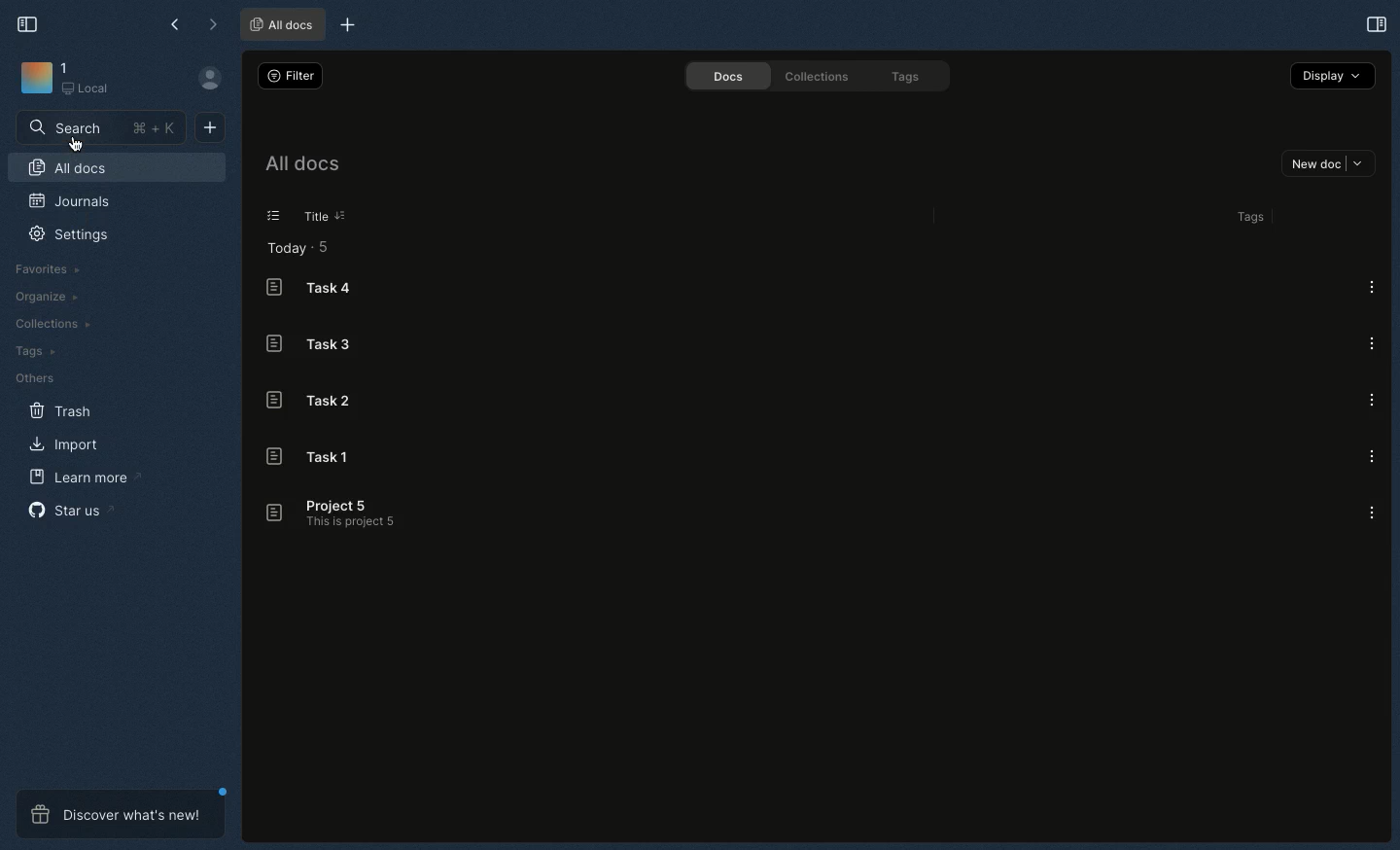 The width and height of the screenshot is (1400, 850). I want to click on Others, so click(35, 376).